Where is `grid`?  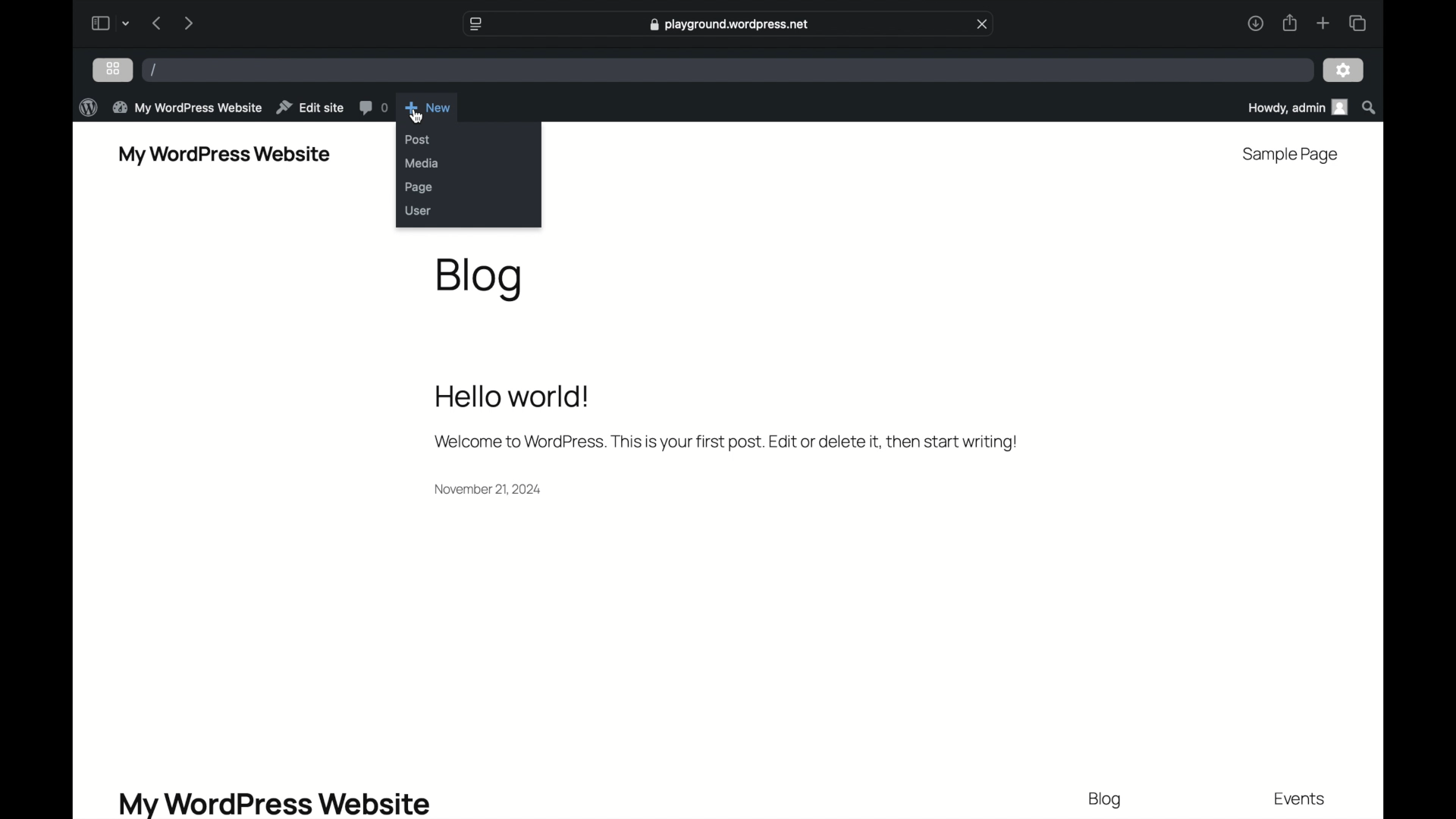
grid is located at coordinates (113, 68).